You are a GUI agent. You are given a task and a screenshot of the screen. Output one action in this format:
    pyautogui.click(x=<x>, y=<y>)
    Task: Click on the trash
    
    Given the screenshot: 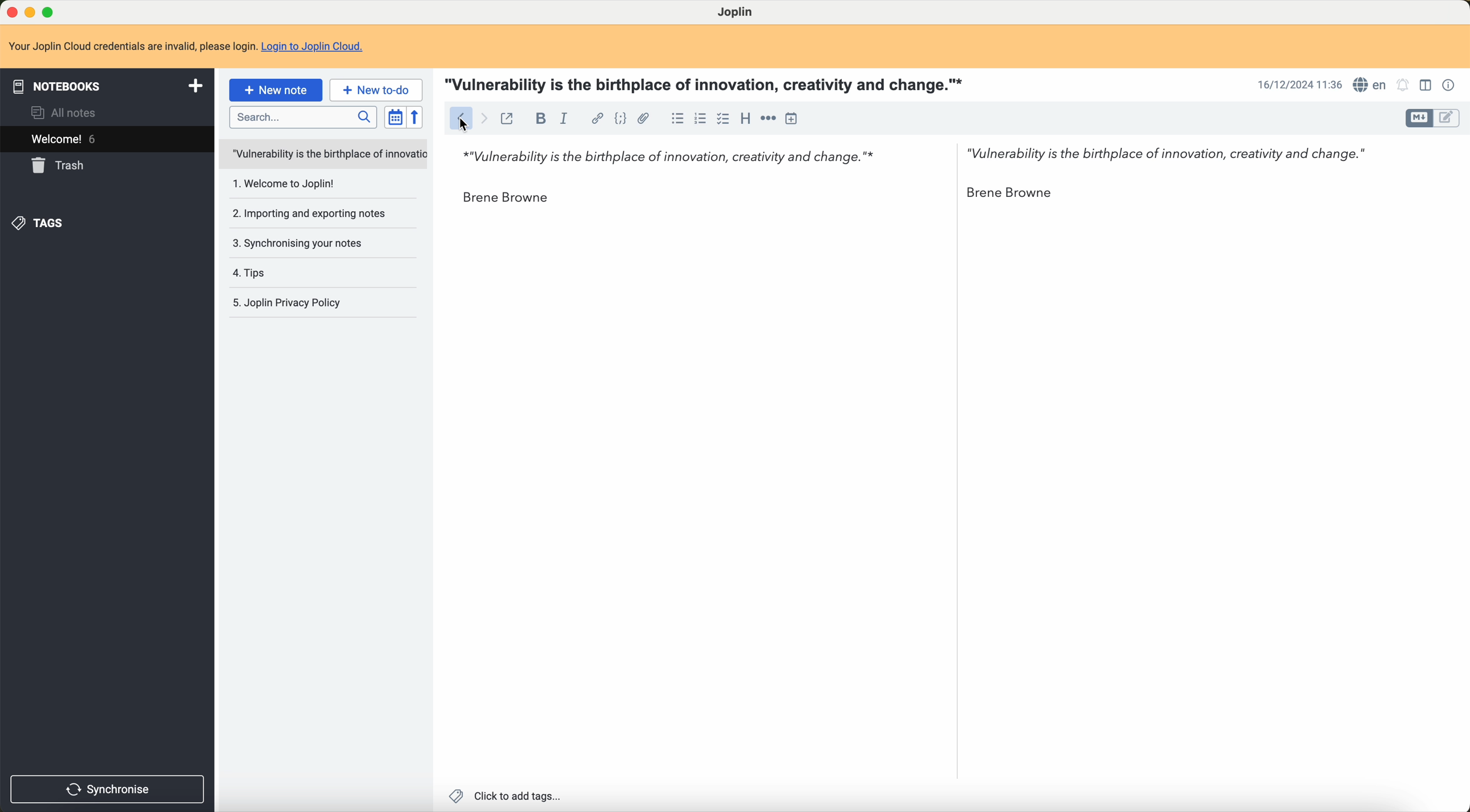 What is the action you would take?
    pyautogui.click(x=58, y=167)
    